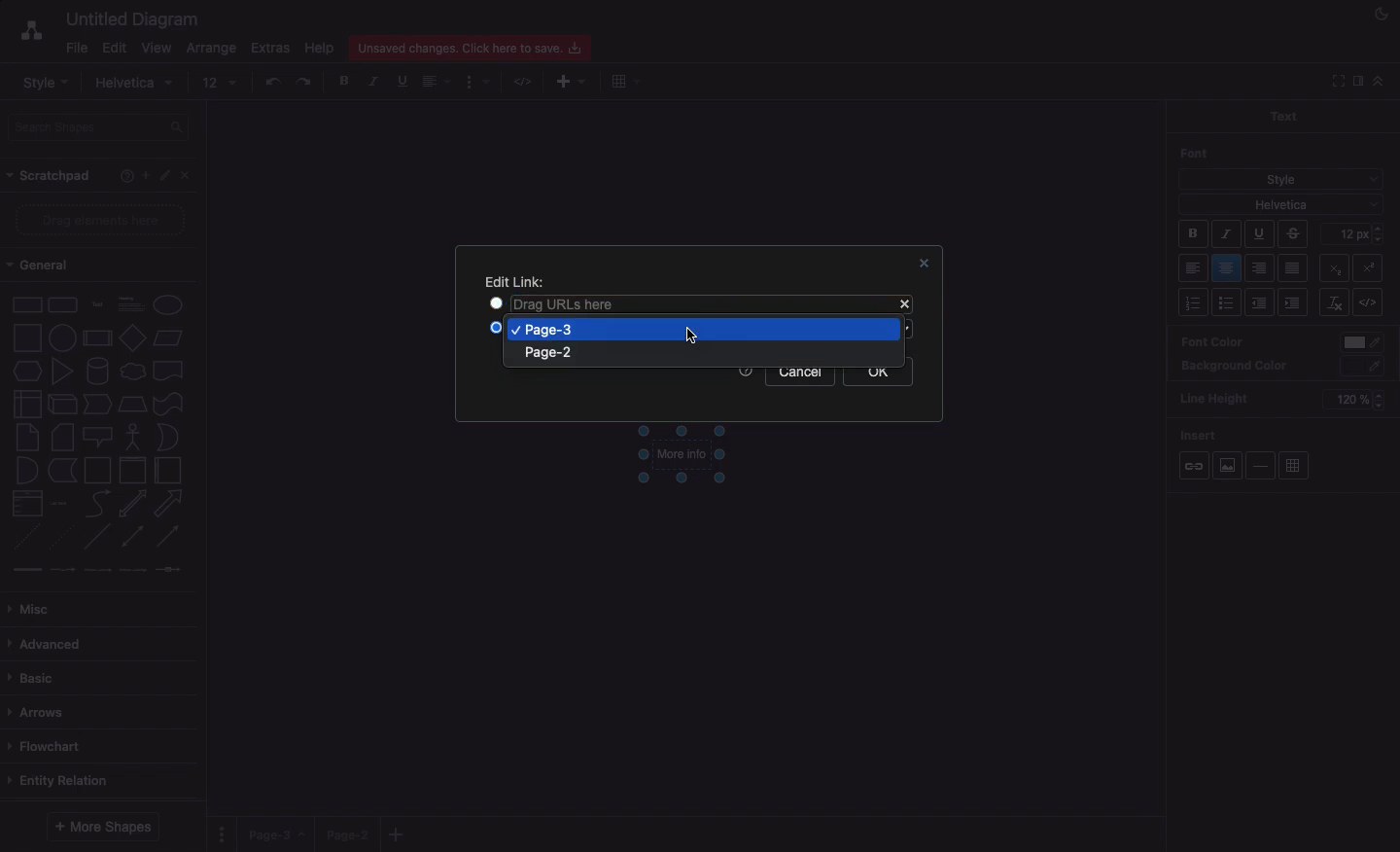  What do you see at coordinates (34, 679) in the screenshot?
I see `Basic` at bounding box center [34, 679].